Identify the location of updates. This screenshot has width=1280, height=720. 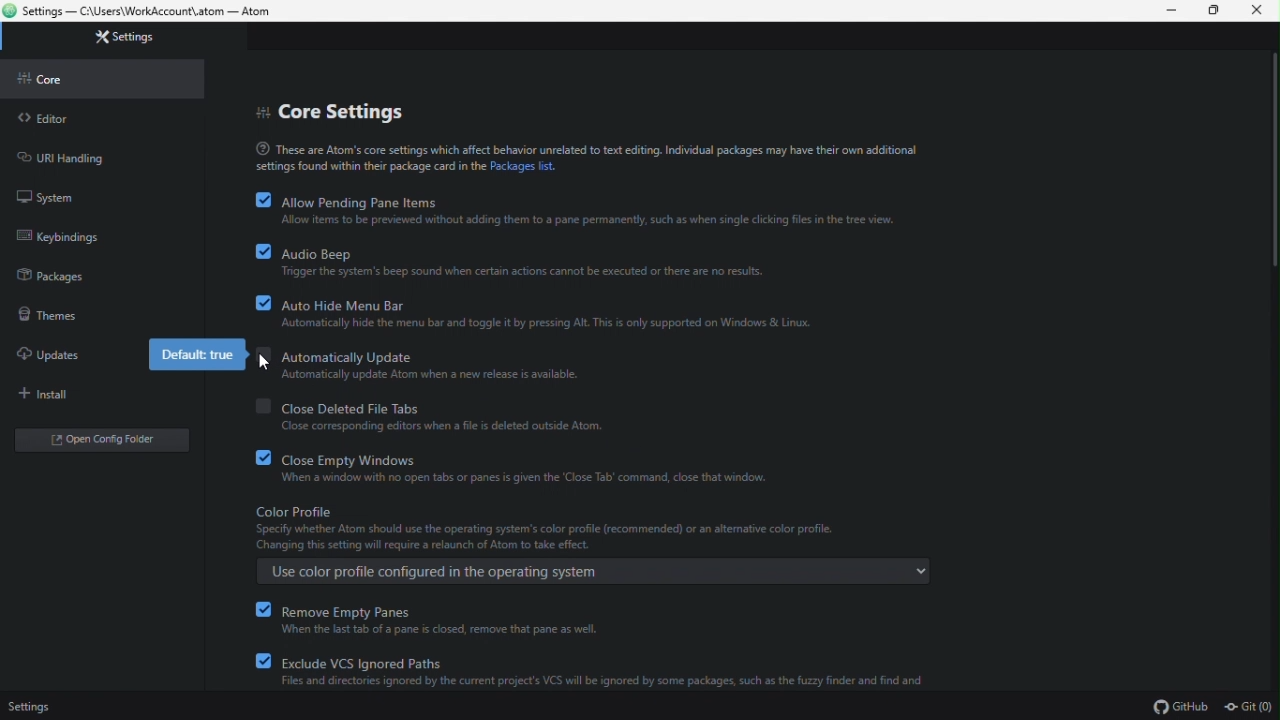
(49, 350).